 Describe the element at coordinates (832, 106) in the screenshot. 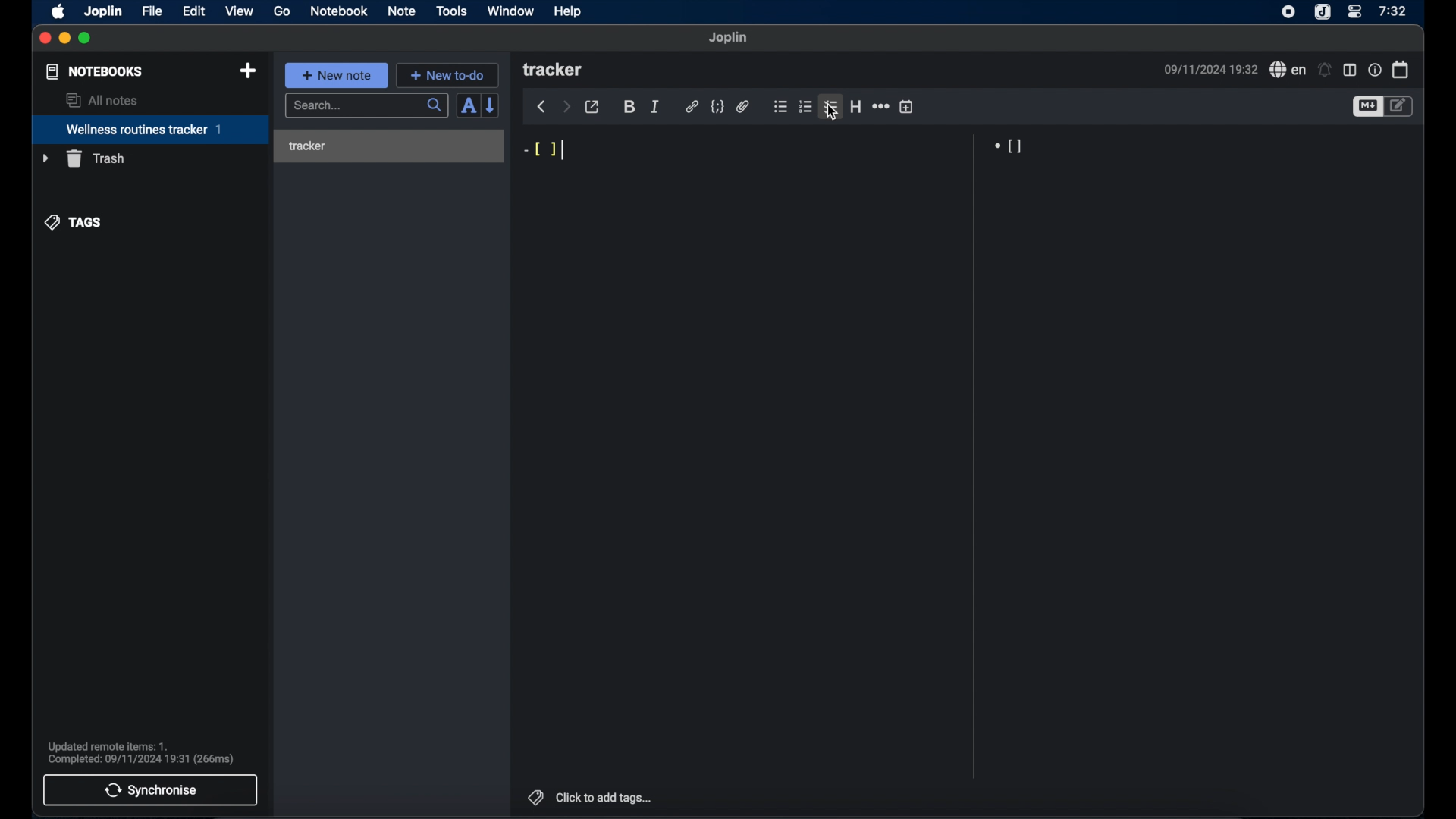

I see `checklist` at that location.